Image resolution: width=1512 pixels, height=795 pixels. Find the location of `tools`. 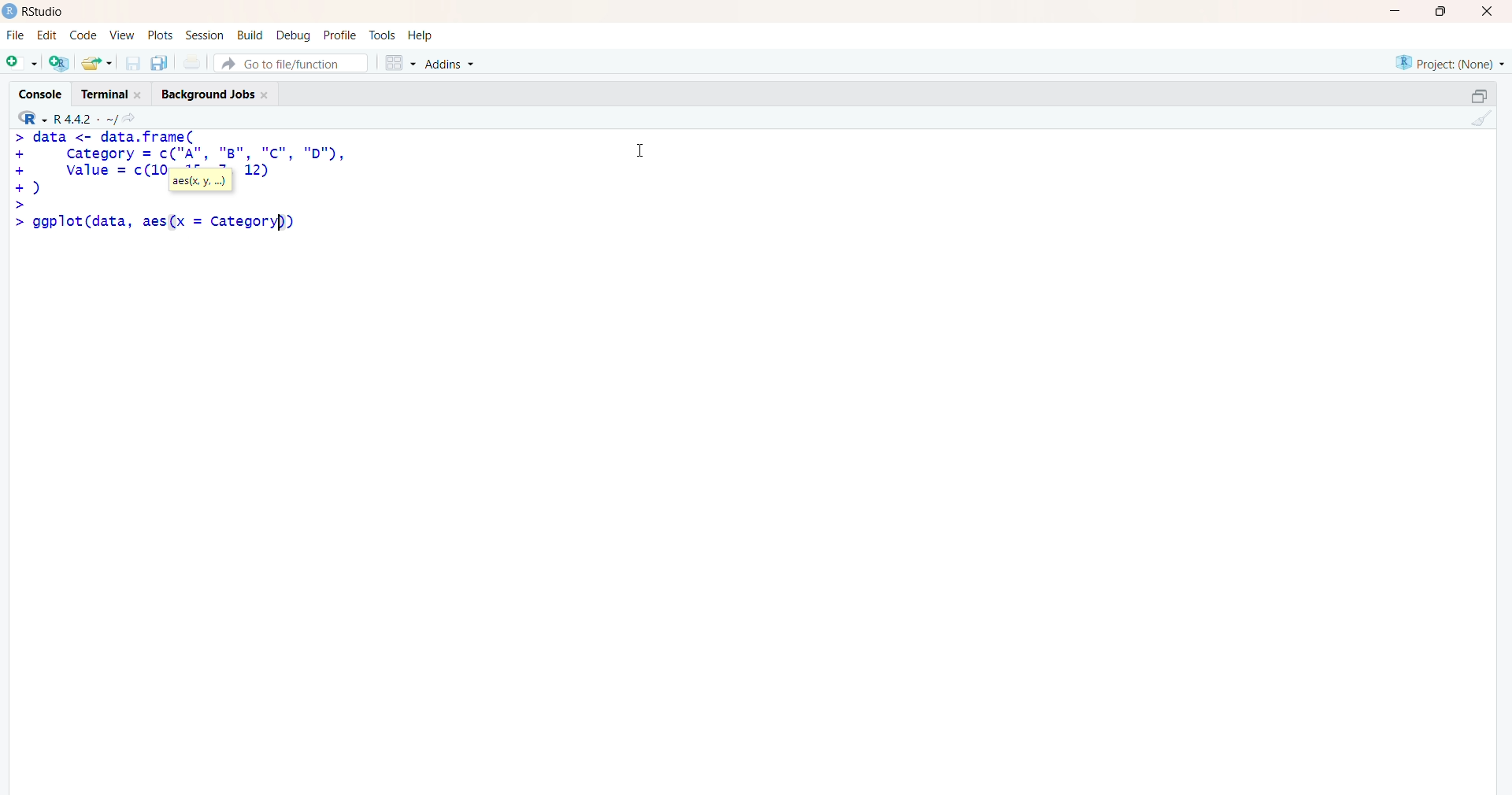

tools is located at coordinates (384, 35).